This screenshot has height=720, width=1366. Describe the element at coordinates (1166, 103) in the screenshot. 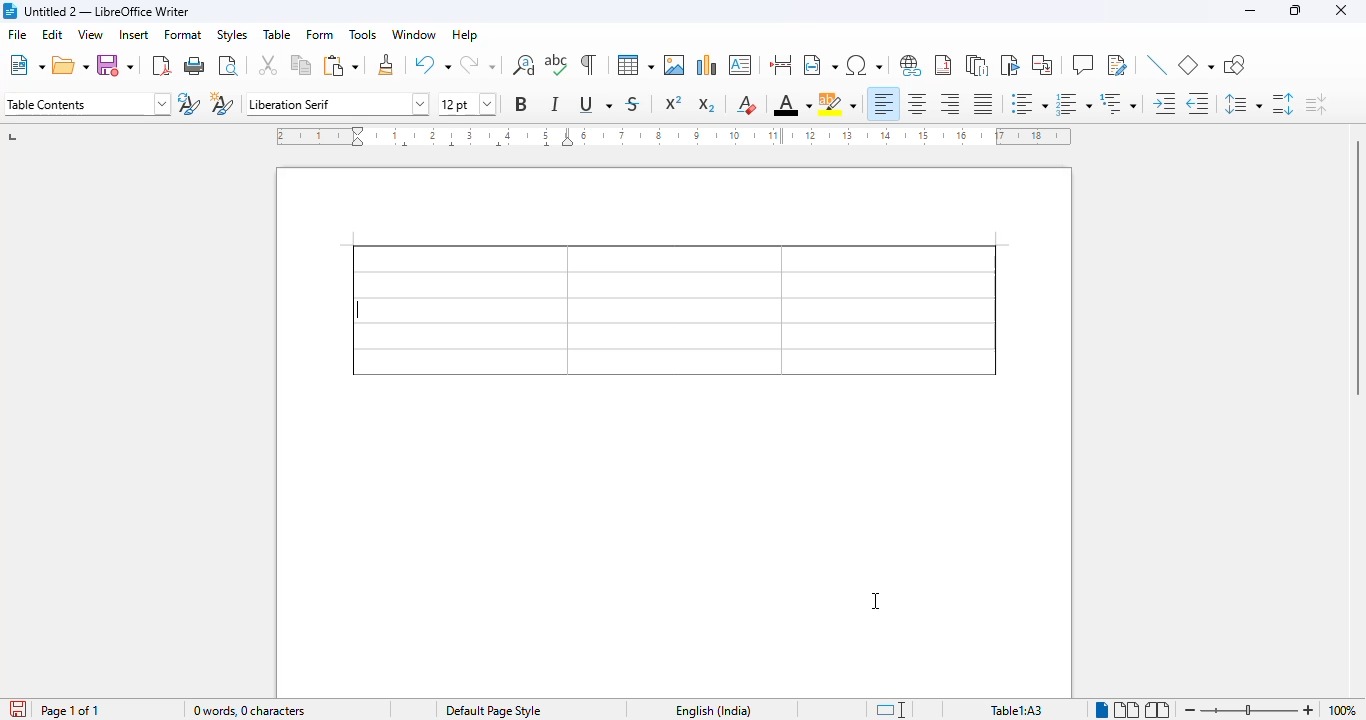

I see `increase indent` at that location.